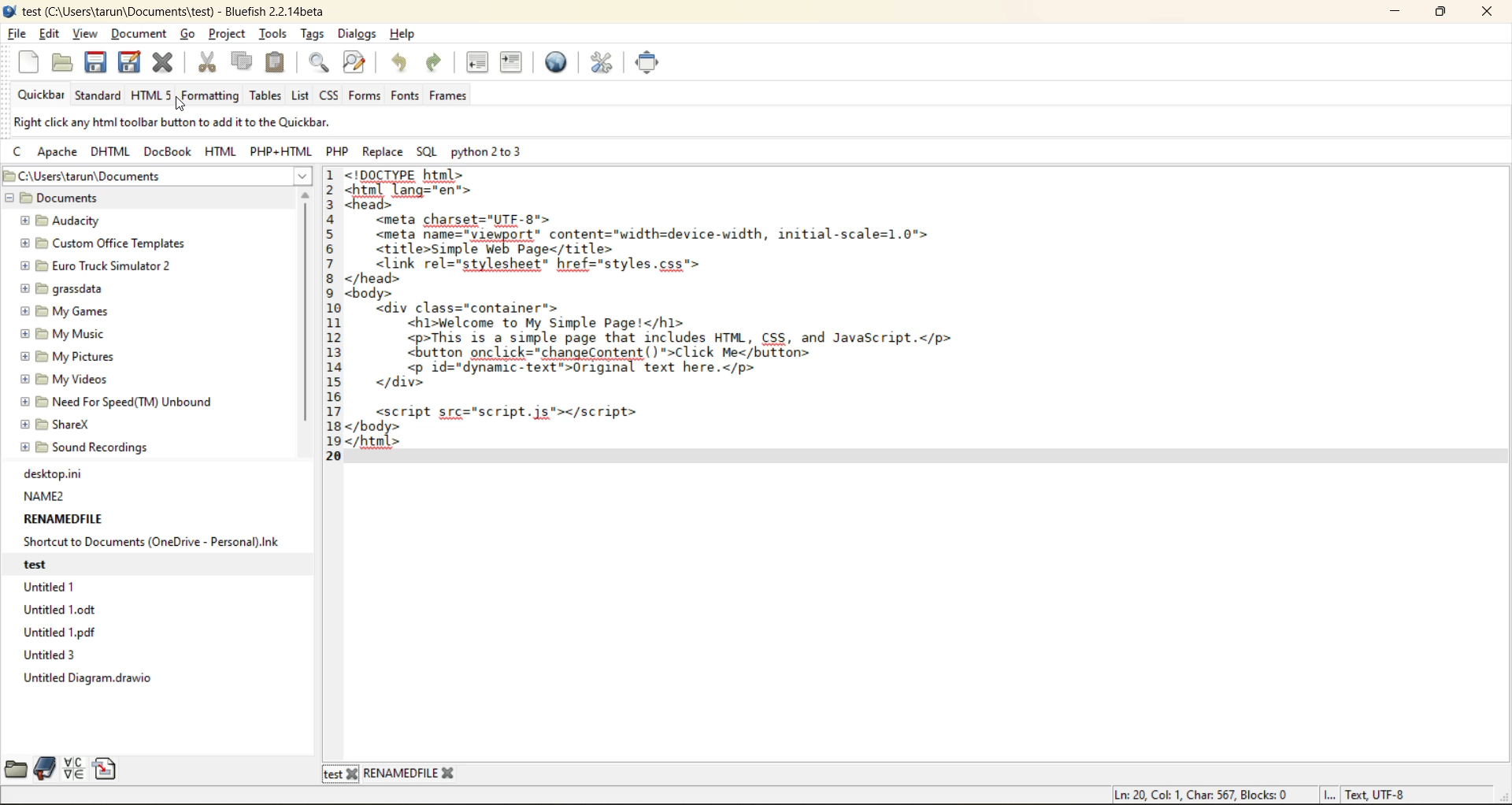  What do you see at coordinates (154, 95) in the screenshot?
I see `html` at bounding box center [154, 95].